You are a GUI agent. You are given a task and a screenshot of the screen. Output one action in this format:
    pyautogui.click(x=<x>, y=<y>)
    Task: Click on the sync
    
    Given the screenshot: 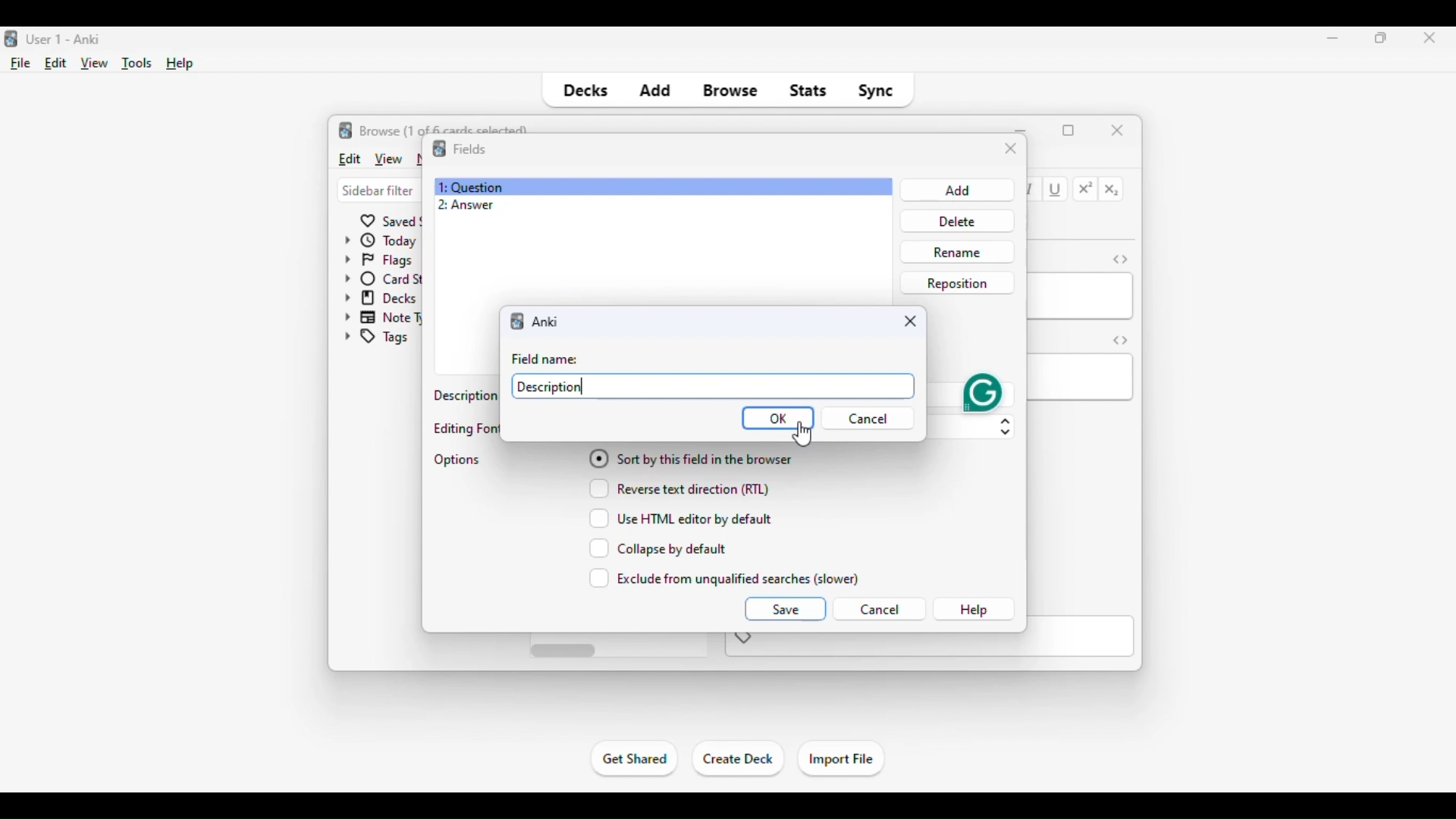 What is the action you would take?
    pyautogui.click(x=875, y=91)
    